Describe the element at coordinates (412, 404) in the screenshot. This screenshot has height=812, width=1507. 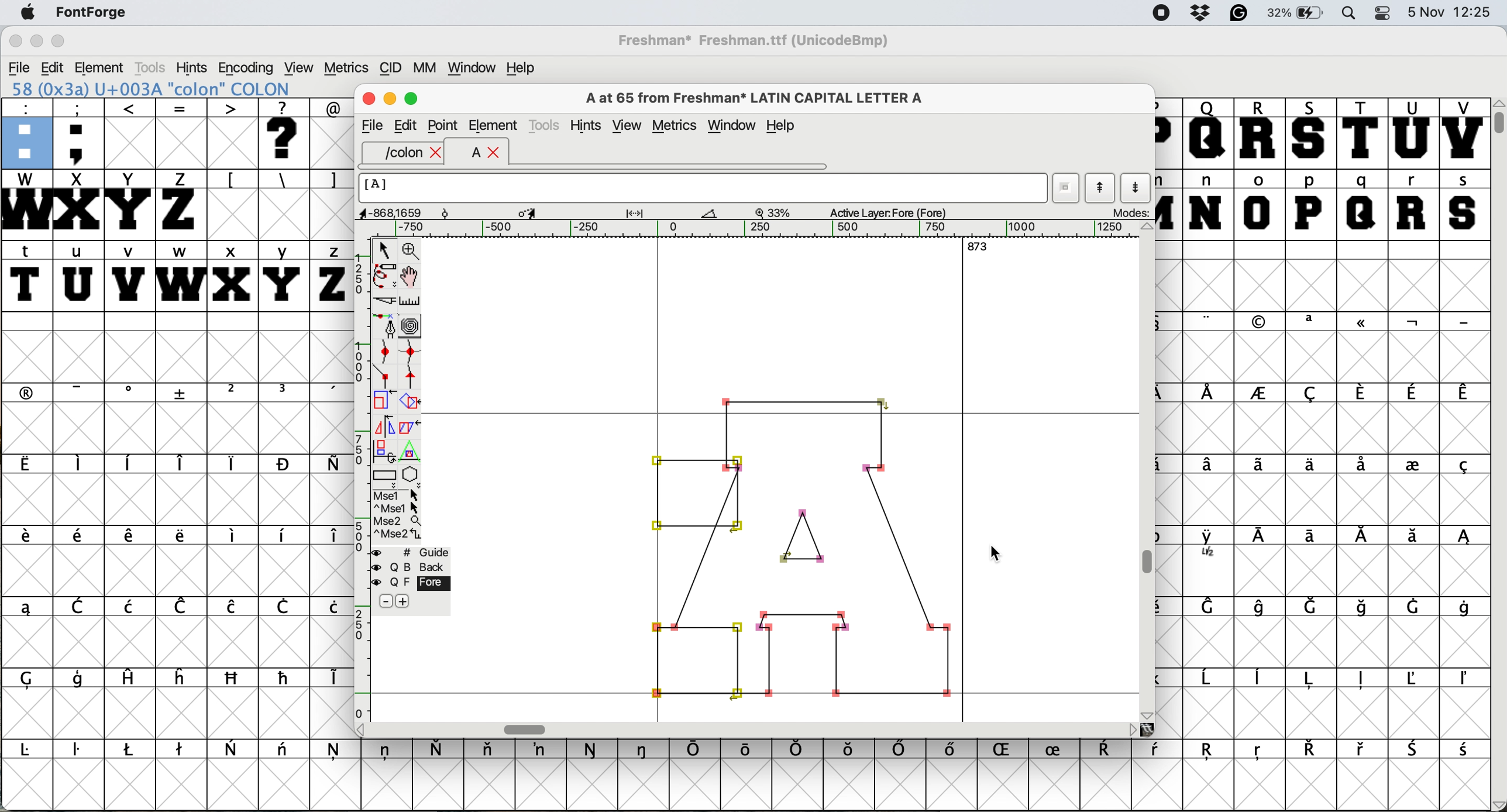
I see `rotate the selection` at that location.